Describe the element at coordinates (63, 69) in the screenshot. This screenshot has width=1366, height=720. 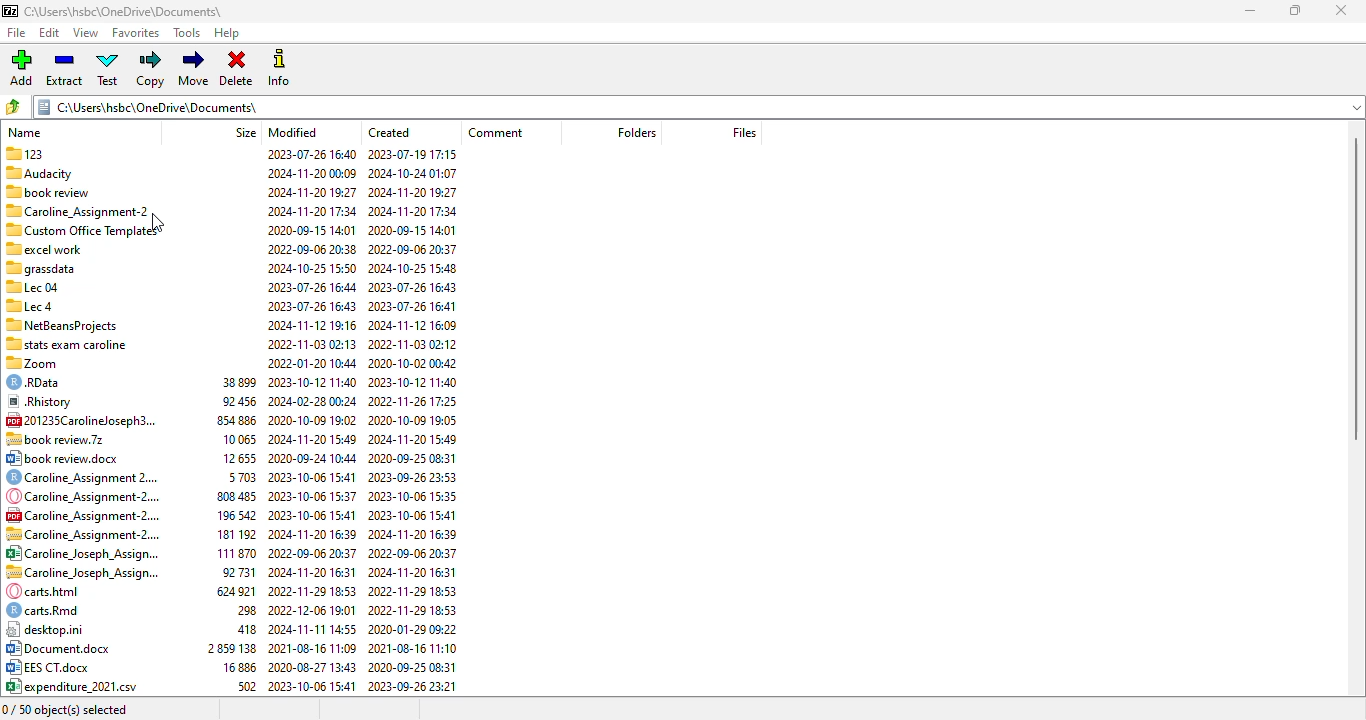
I see `extract` at that location.